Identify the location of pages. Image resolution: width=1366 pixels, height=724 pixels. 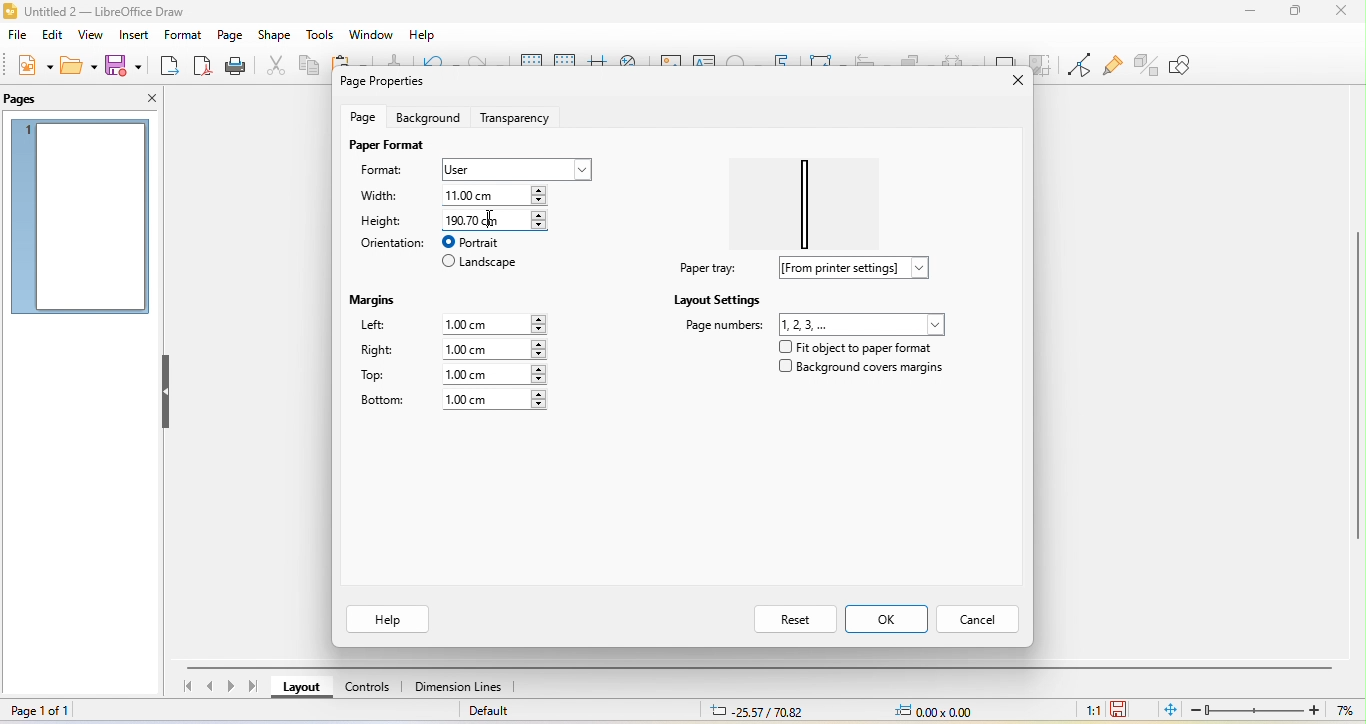
(31, 99).